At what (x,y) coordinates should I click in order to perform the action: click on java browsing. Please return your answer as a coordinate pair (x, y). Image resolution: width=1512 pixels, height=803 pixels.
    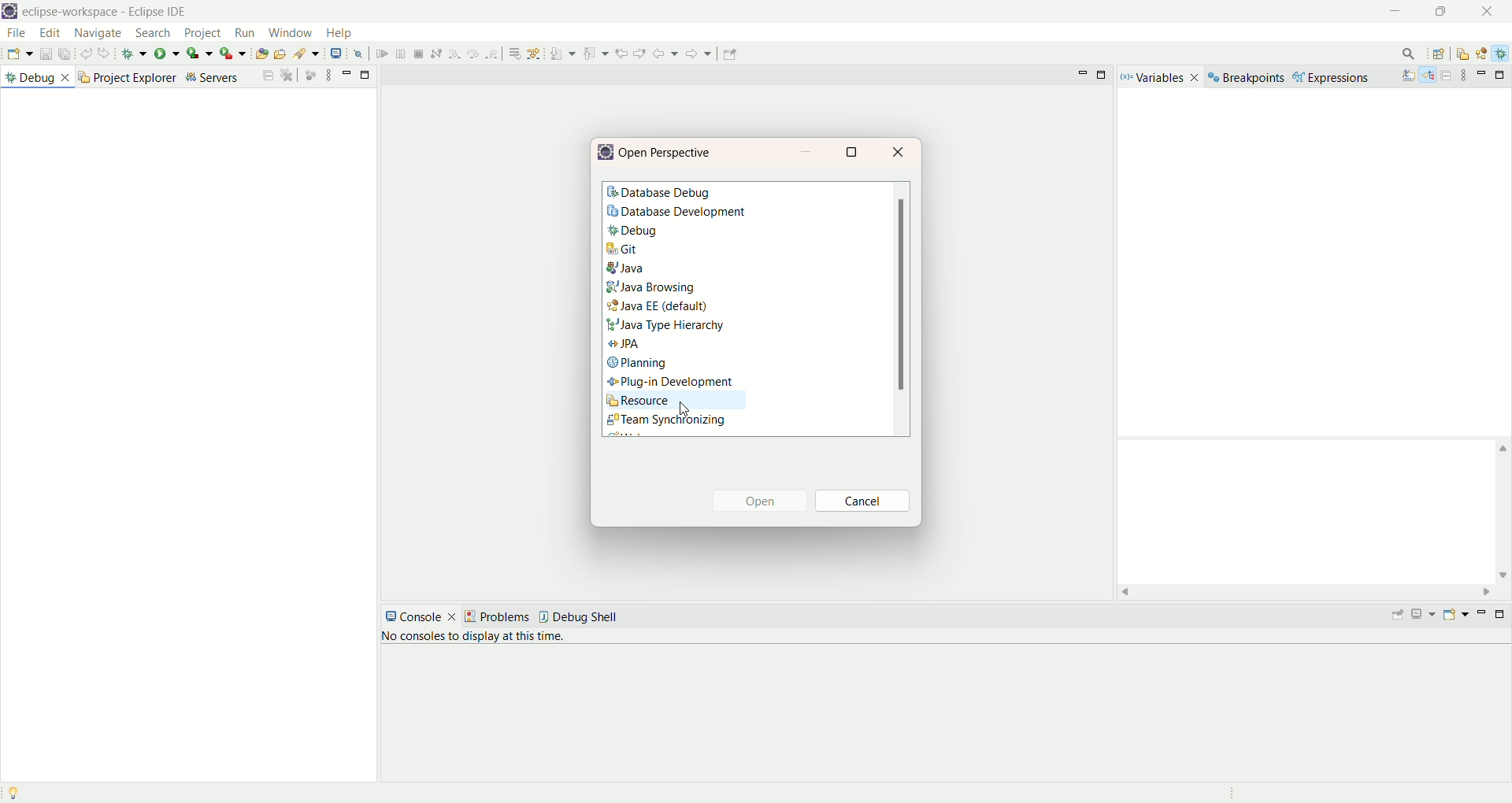
    Looking at the image, I should click on (651, 287).